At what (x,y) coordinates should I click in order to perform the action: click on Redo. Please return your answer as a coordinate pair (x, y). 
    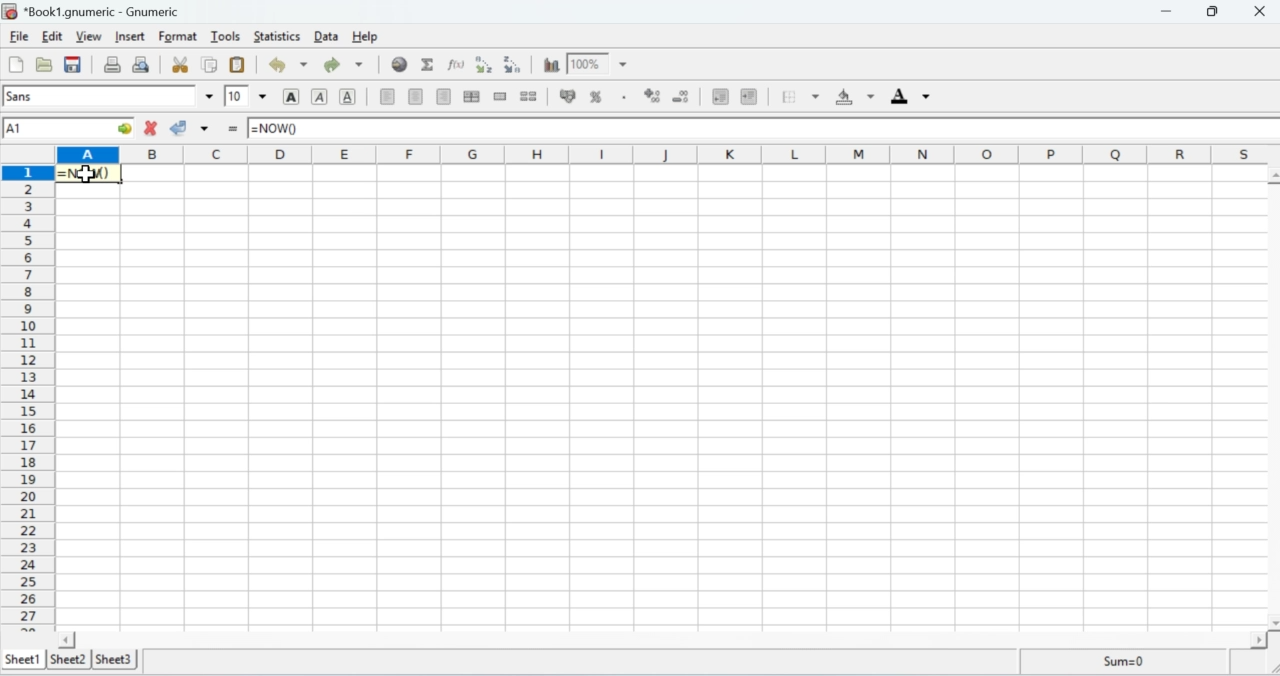
    Looking at the image, I should click on (342, 64).